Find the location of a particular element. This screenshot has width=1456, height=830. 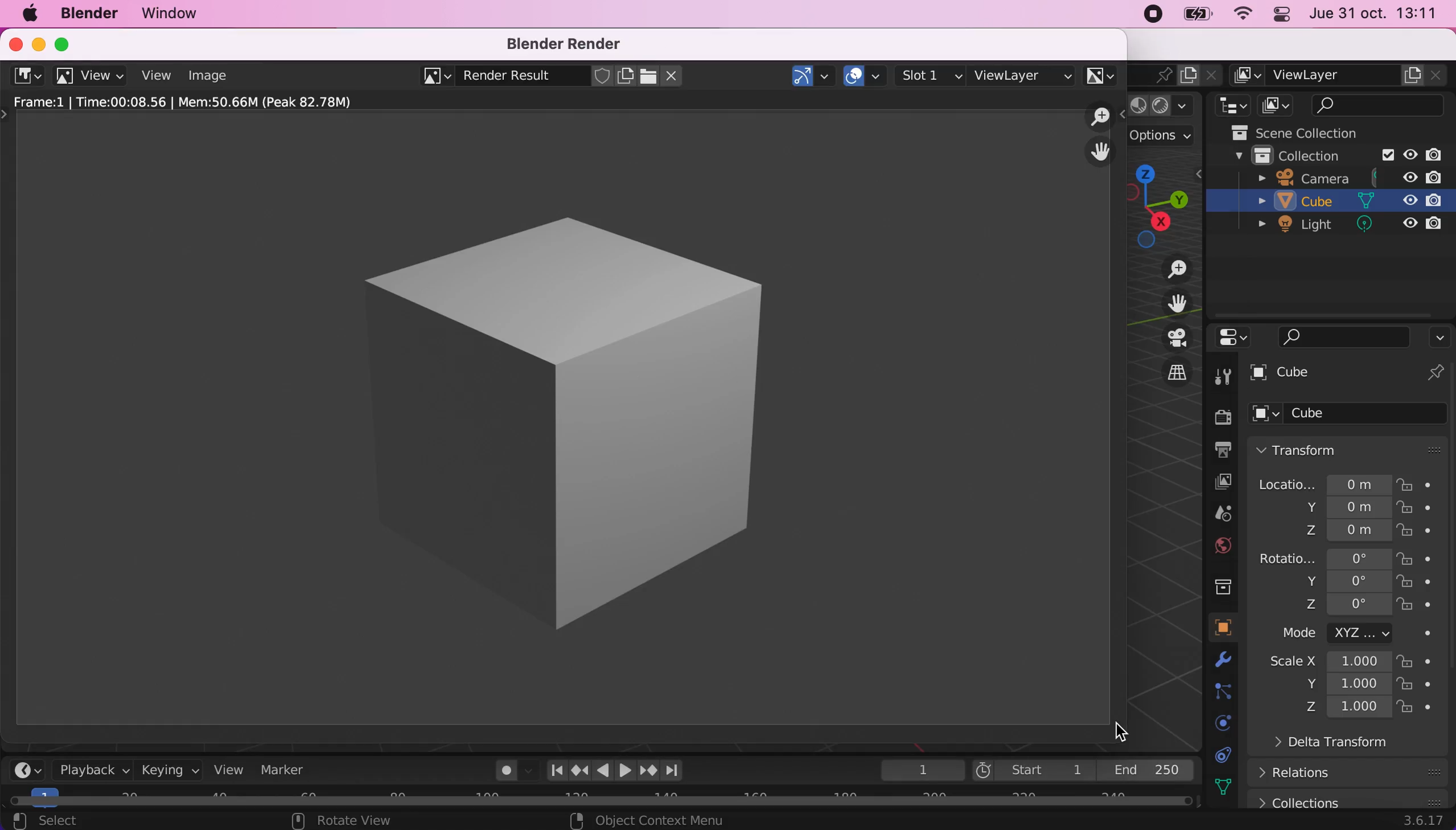

auto keying is located at coordinates (505, 773).